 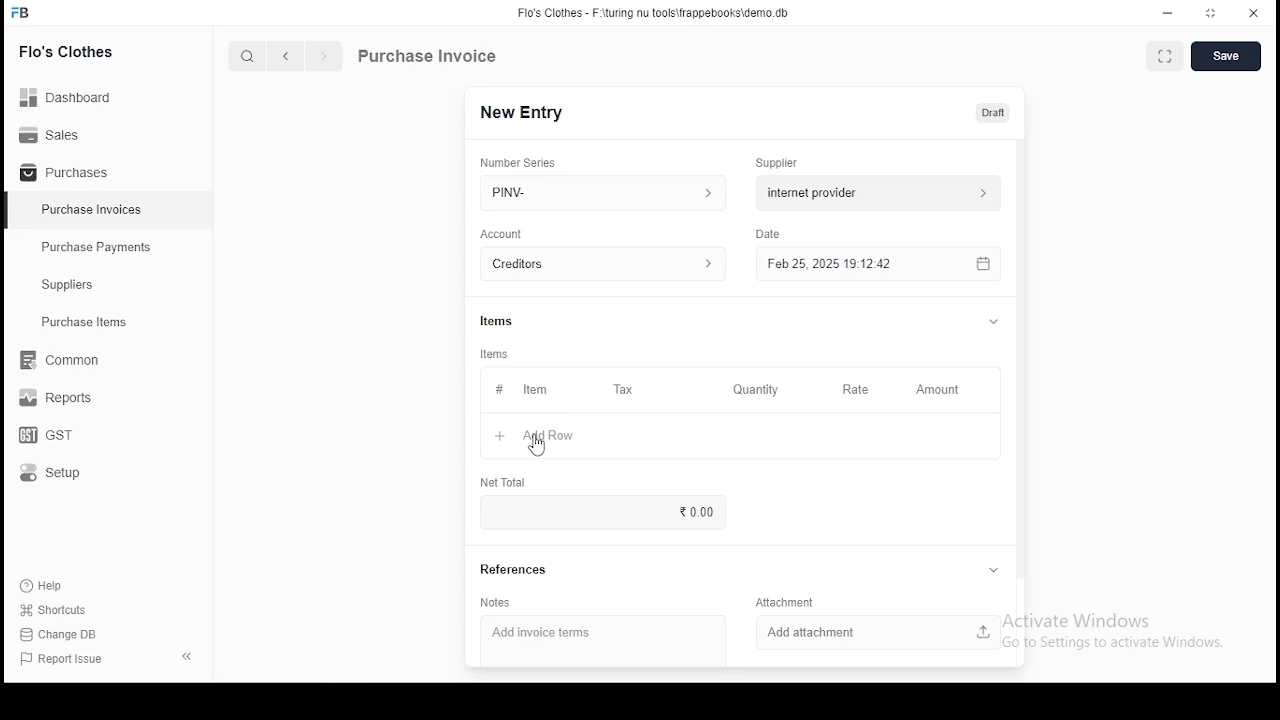 What do you see at coordinates (603, 190) in the screenshot?
I see `PINV` at bounding box center [603, 190].